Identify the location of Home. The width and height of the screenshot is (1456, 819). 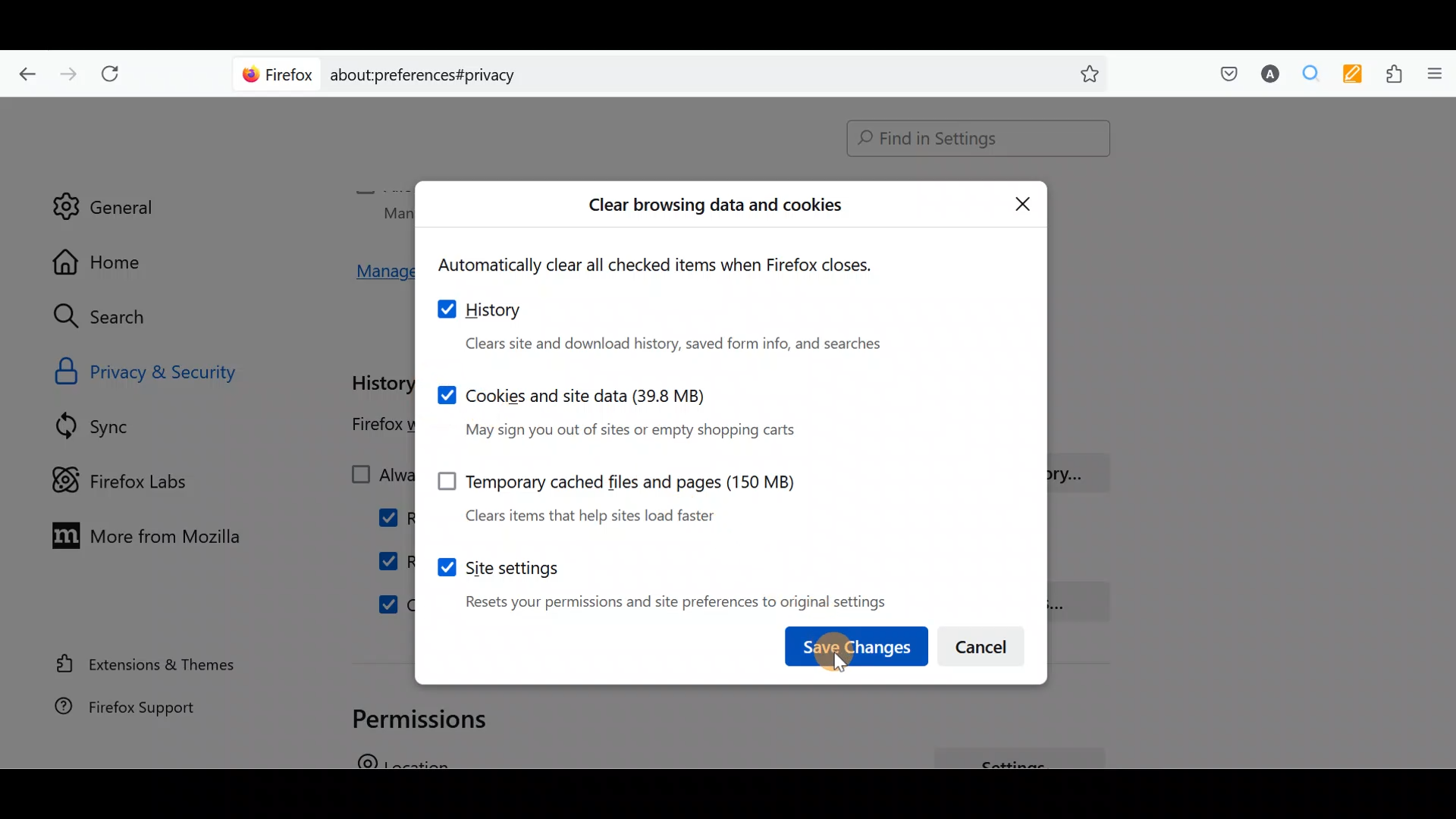
(112, 262).